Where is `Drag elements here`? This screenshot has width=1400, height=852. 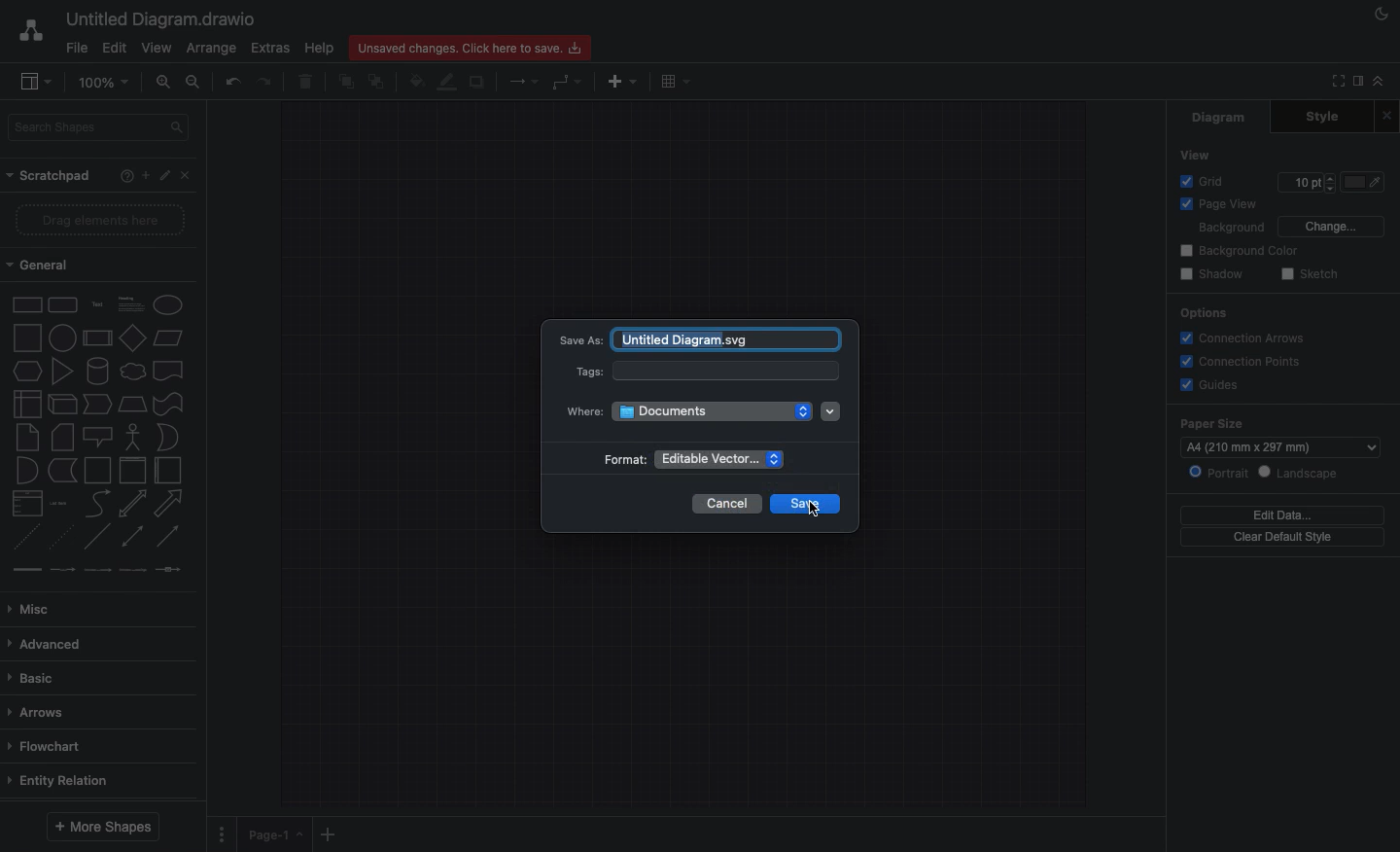
Drag elements here is located at coordinates (95, 222).